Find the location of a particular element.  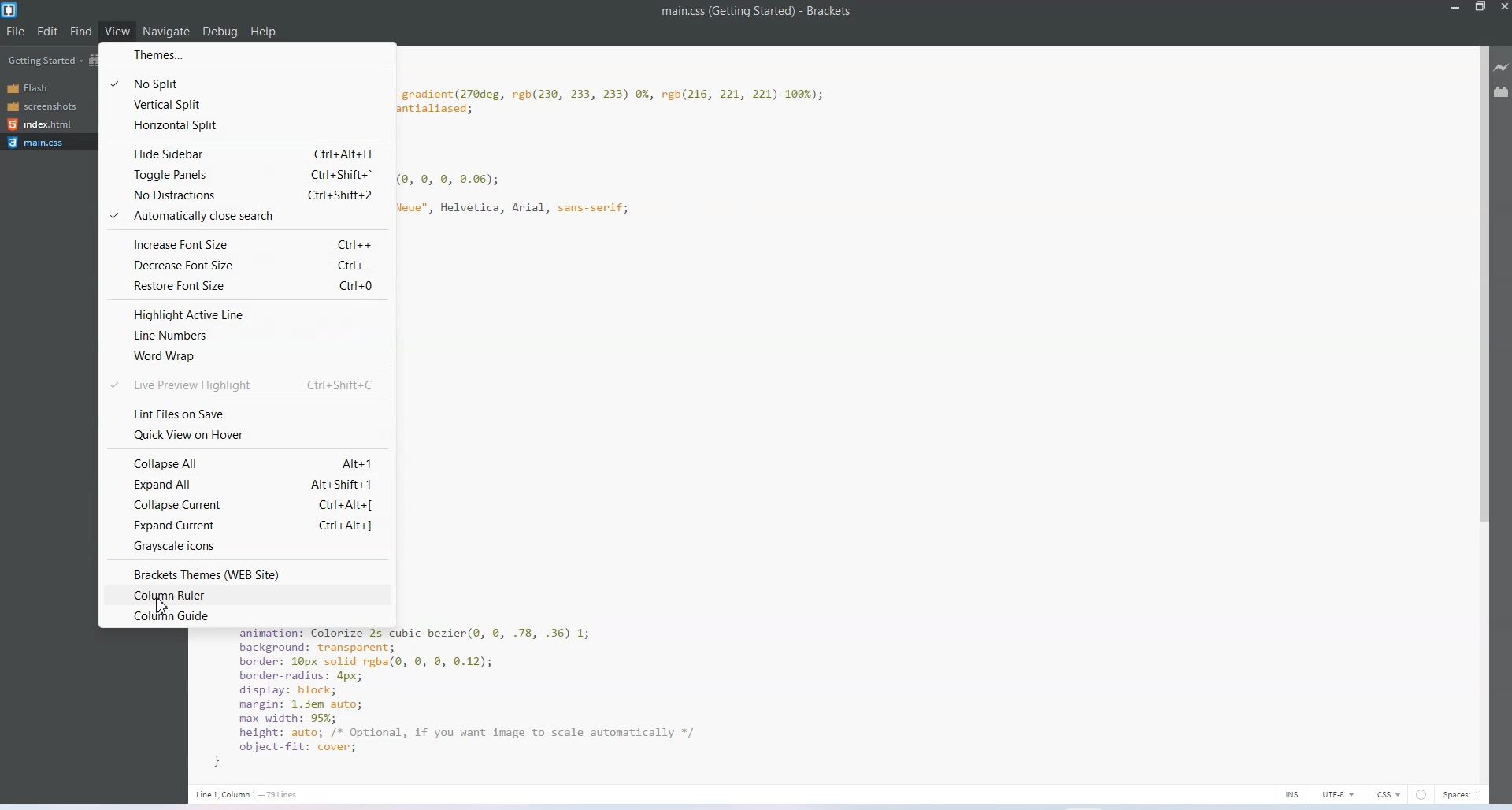

Minimize is located at coordinates (1456, 7).